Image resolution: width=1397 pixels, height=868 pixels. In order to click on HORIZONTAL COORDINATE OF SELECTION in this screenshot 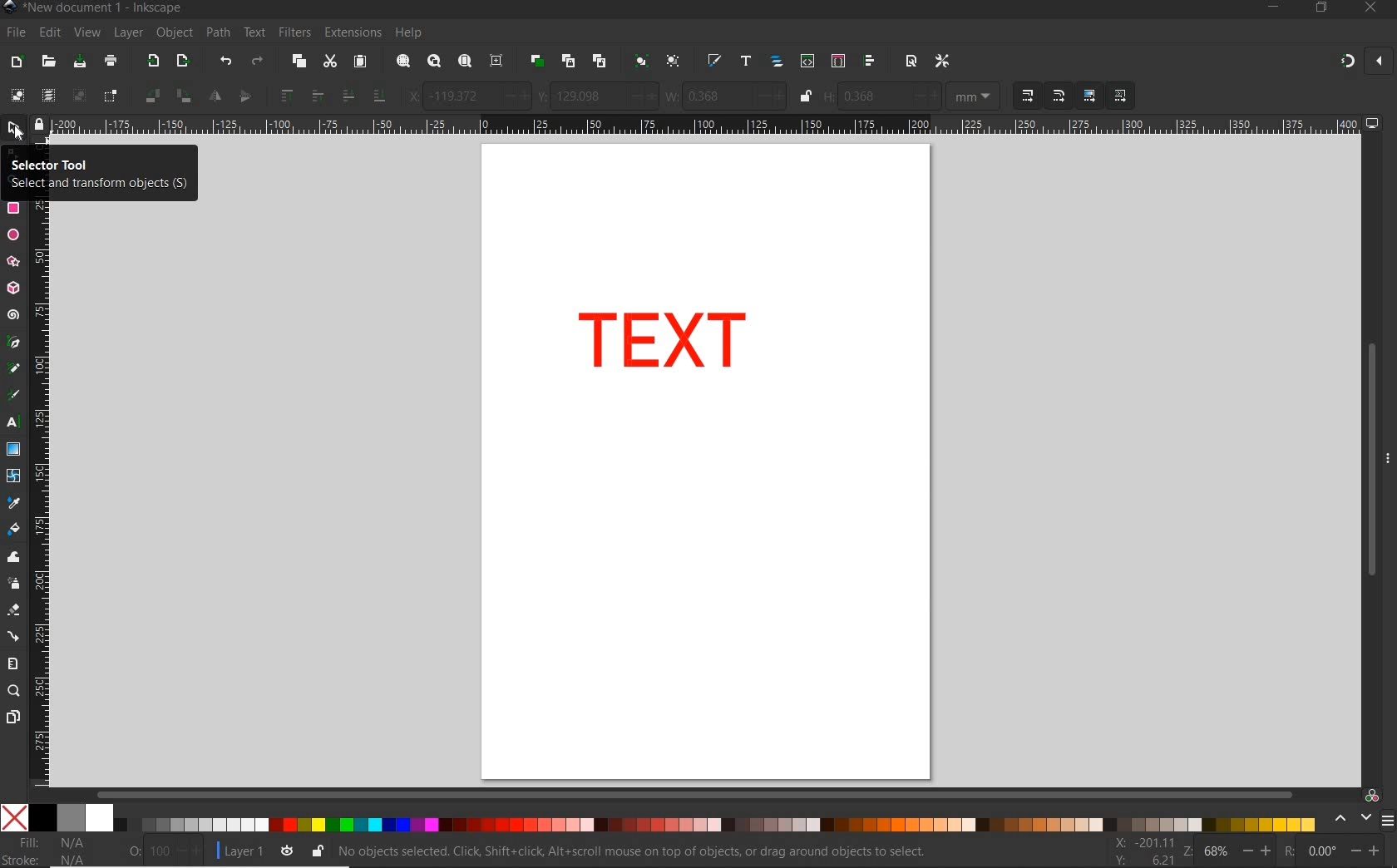, I will do `click(469, 96)`.